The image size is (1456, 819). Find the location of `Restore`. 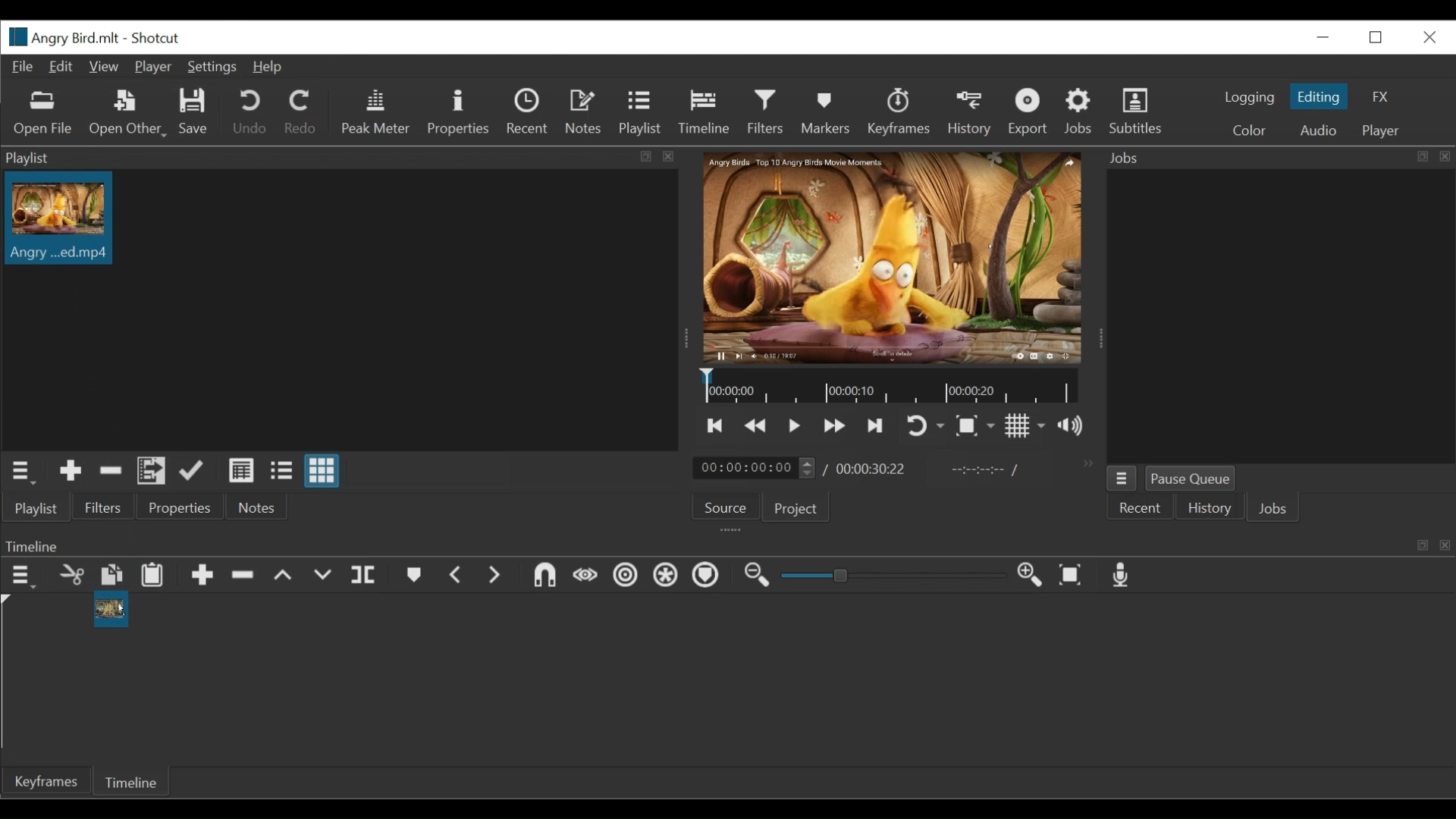

Restore is located at coordinates (1377, 37).